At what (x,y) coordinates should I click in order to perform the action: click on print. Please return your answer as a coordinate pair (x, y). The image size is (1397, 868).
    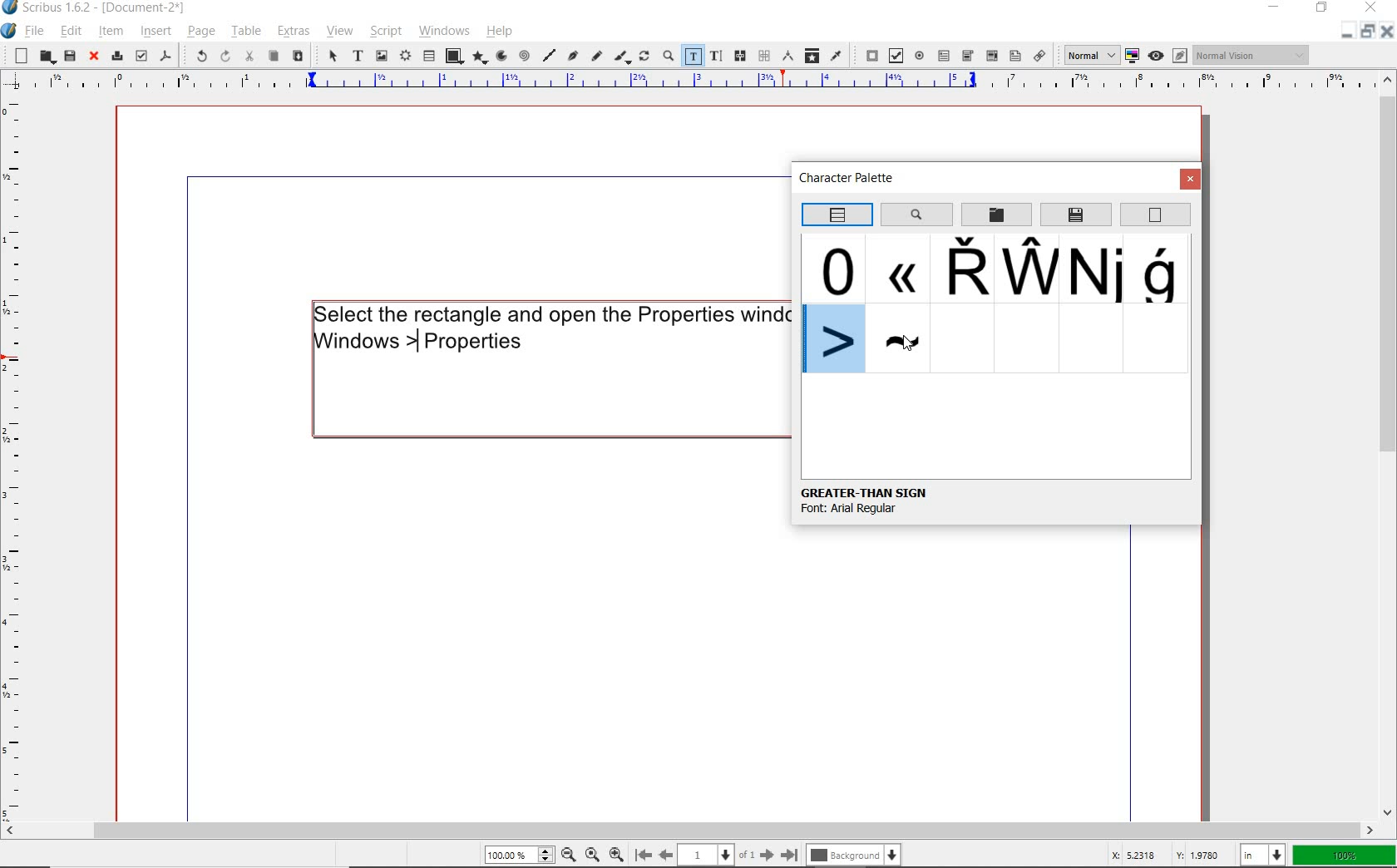
    Looking at the image, I should click on (116, 56).